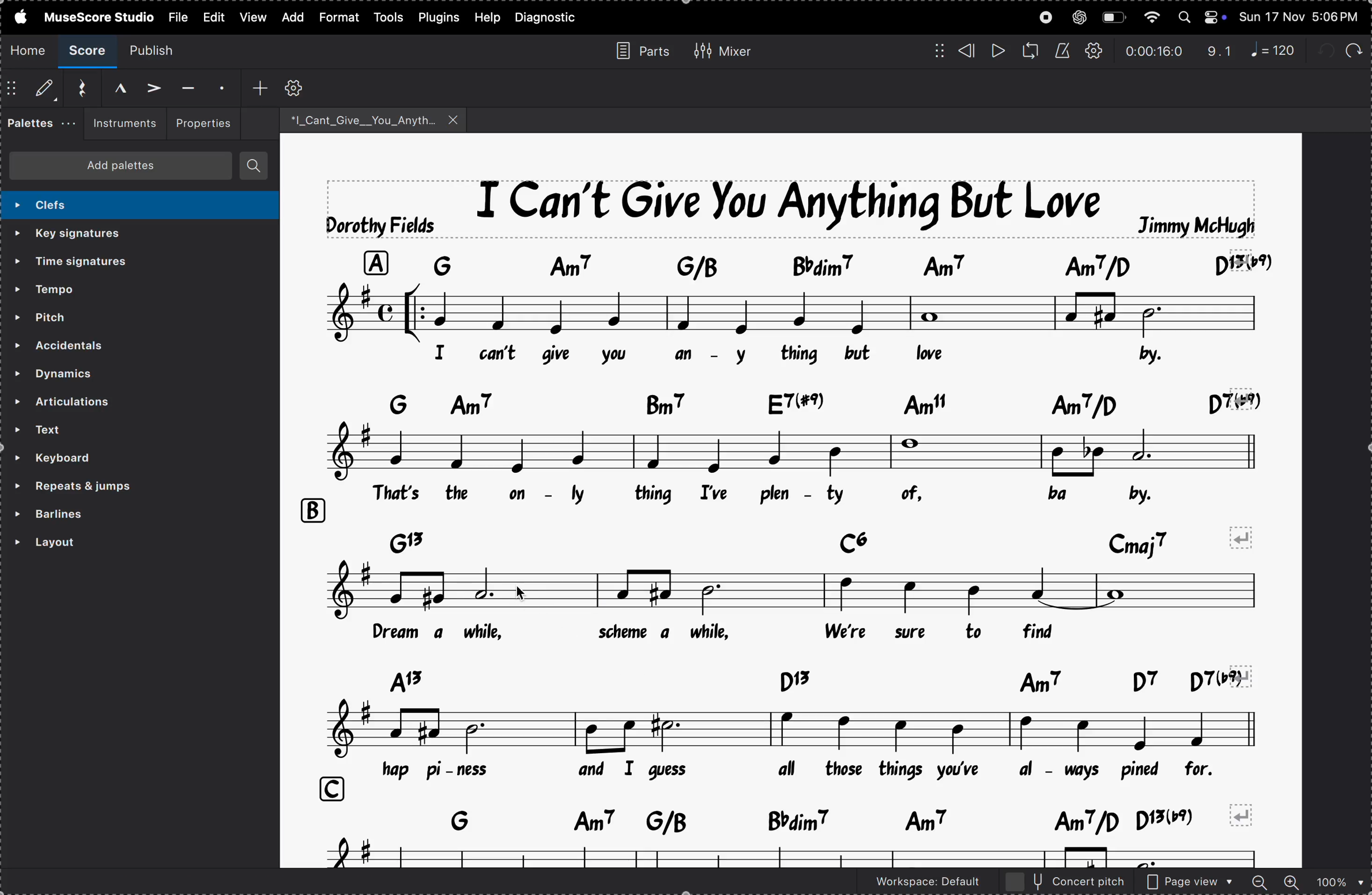  Describe the element at coordinates (110, 87) in the screenshot. I see `Marcato` at that location.